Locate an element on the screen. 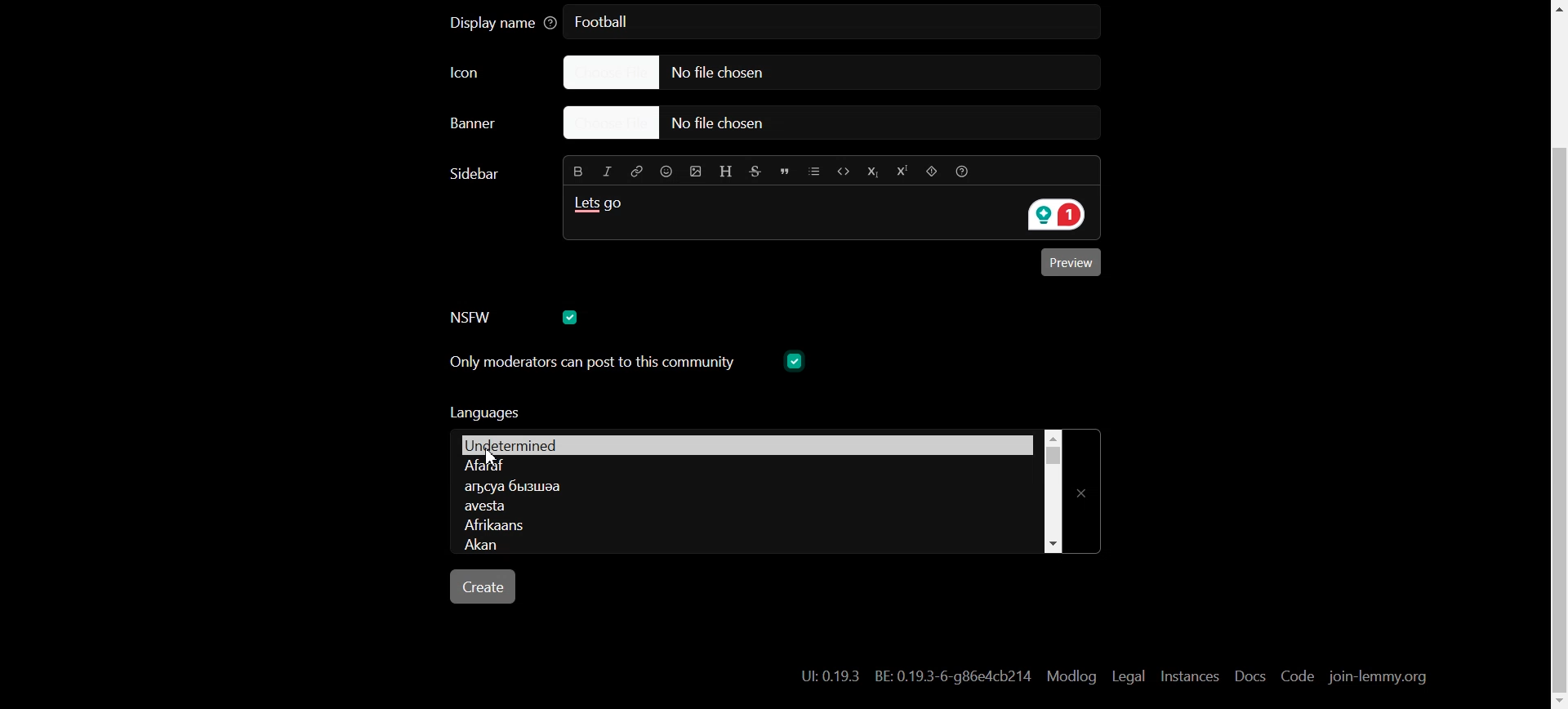 This screenshot has width=1568, height=709. grammarly is located at coordinates (1052, 216).